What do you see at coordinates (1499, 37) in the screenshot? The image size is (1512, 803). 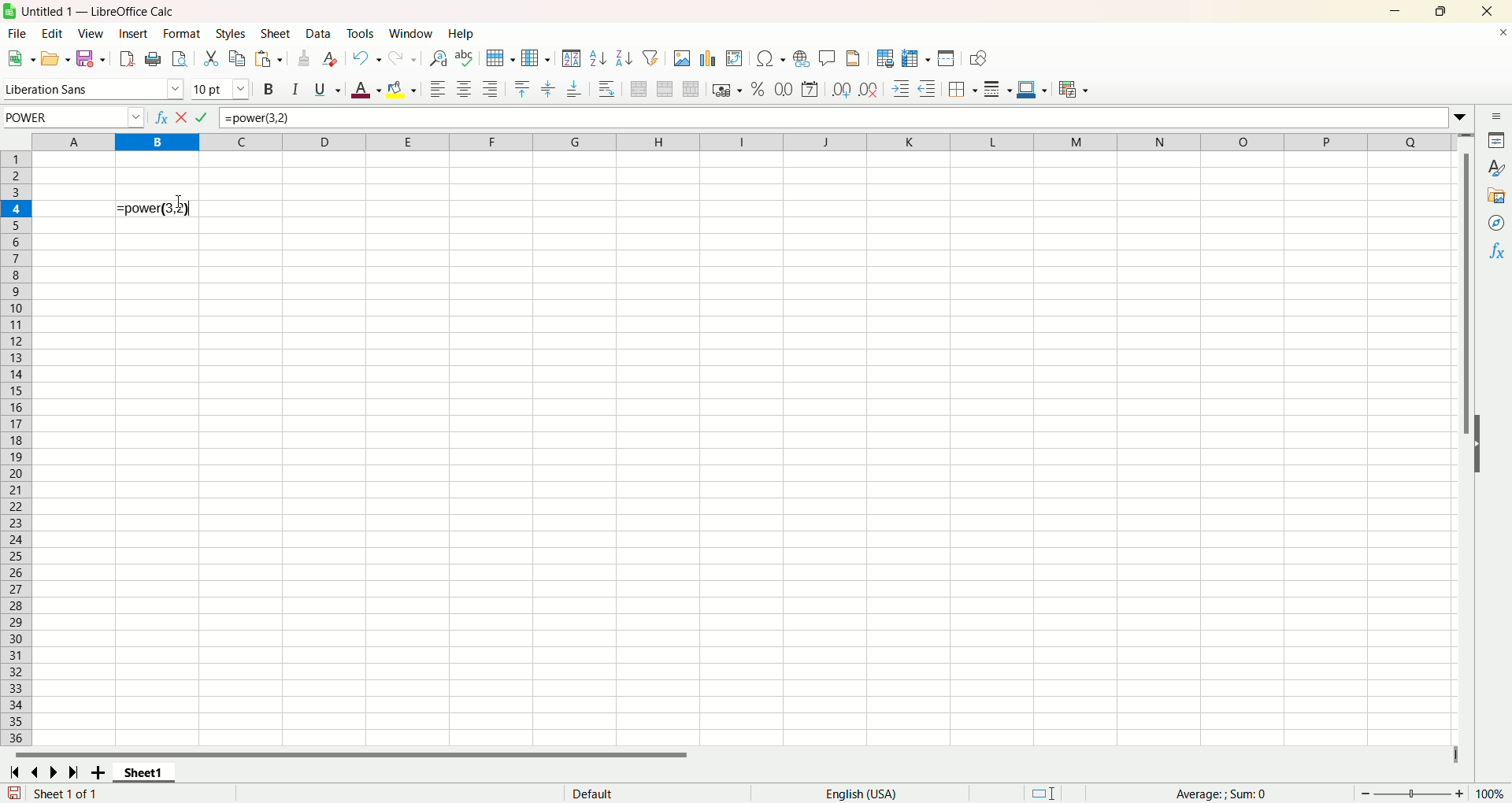 I see `close document` at bounding box center [1499, 37].